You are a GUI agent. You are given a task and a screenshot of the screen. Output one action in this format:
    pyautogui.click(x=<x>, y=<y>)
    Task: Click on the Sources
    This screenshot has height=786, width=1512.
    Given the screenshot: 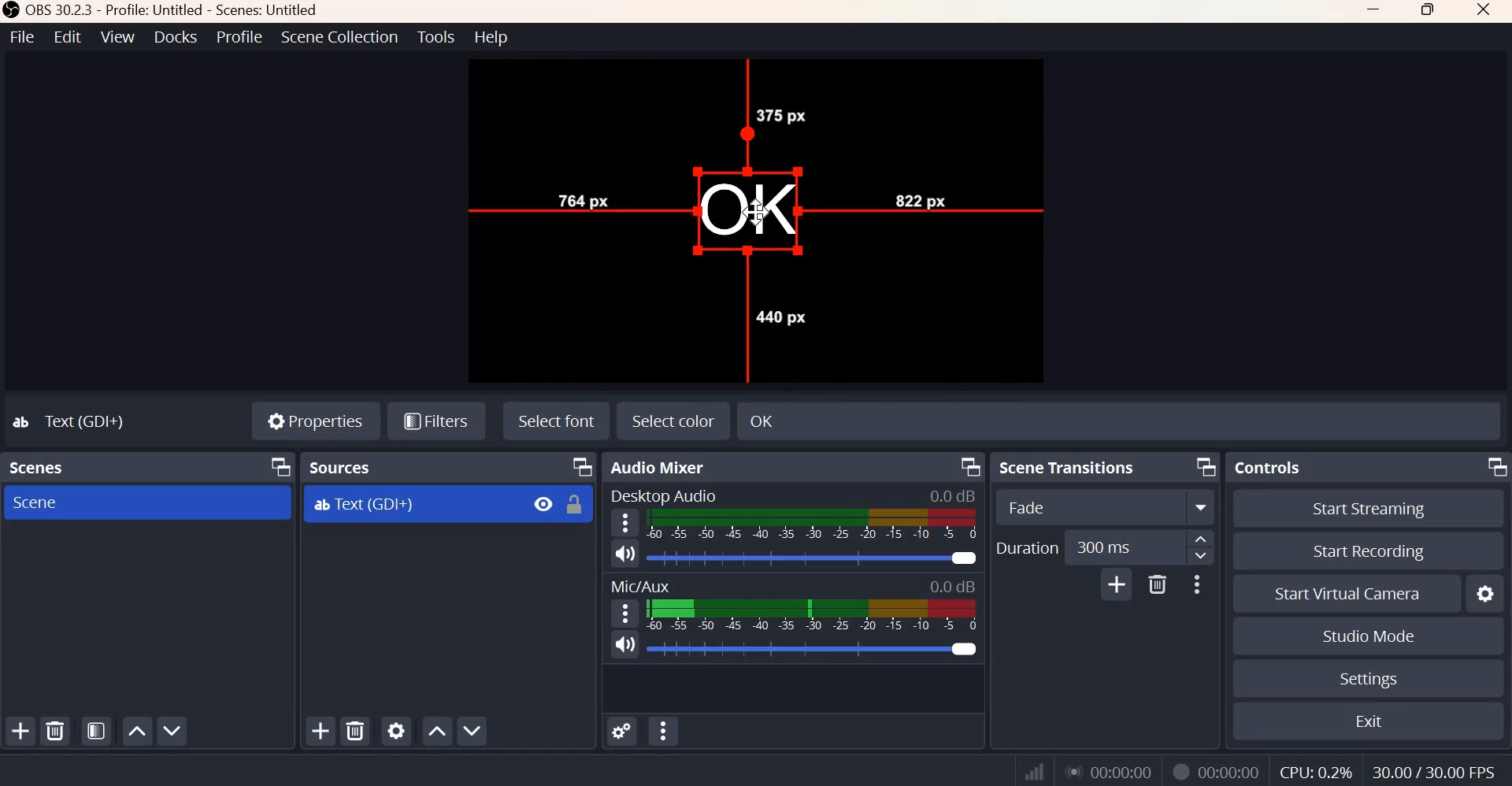 What is the action you would take?
    pyautogui.click(x=343, y=467)
    